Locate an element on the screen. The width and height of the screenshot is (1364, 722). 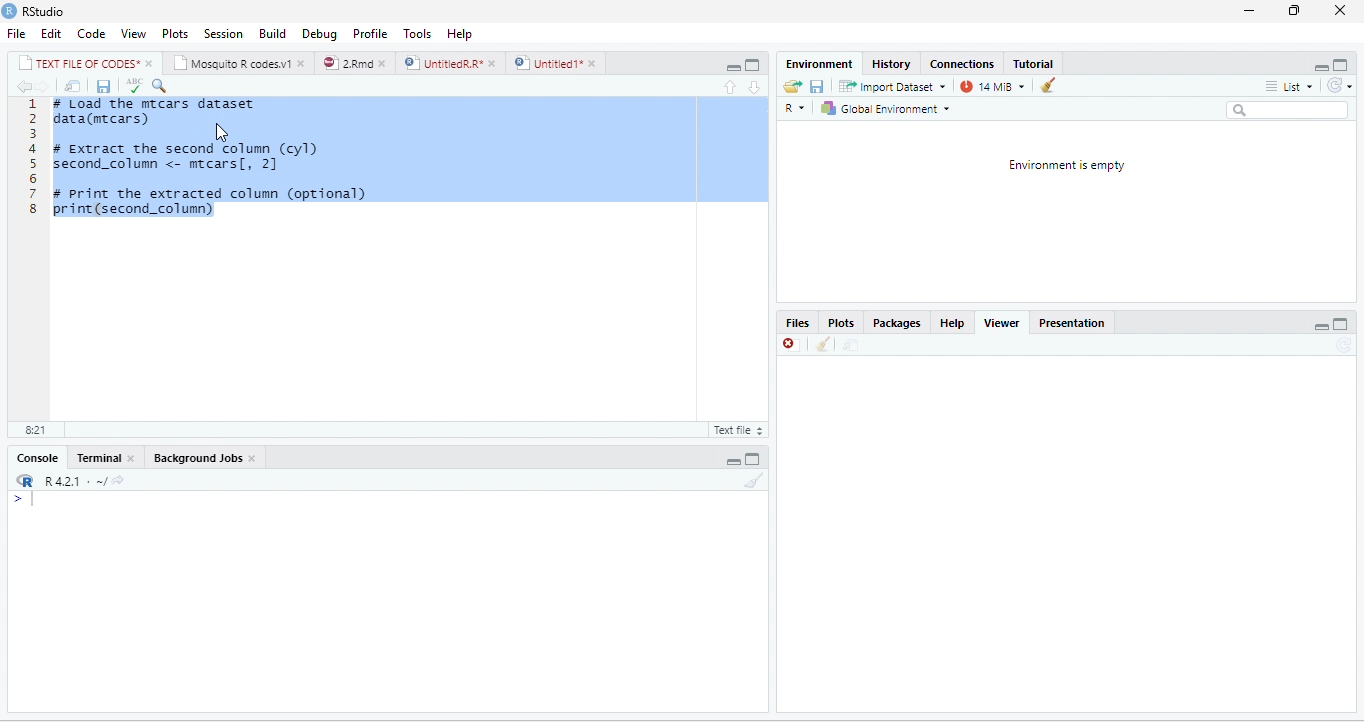
| Global Environment = is located at coordinates (885, 108).